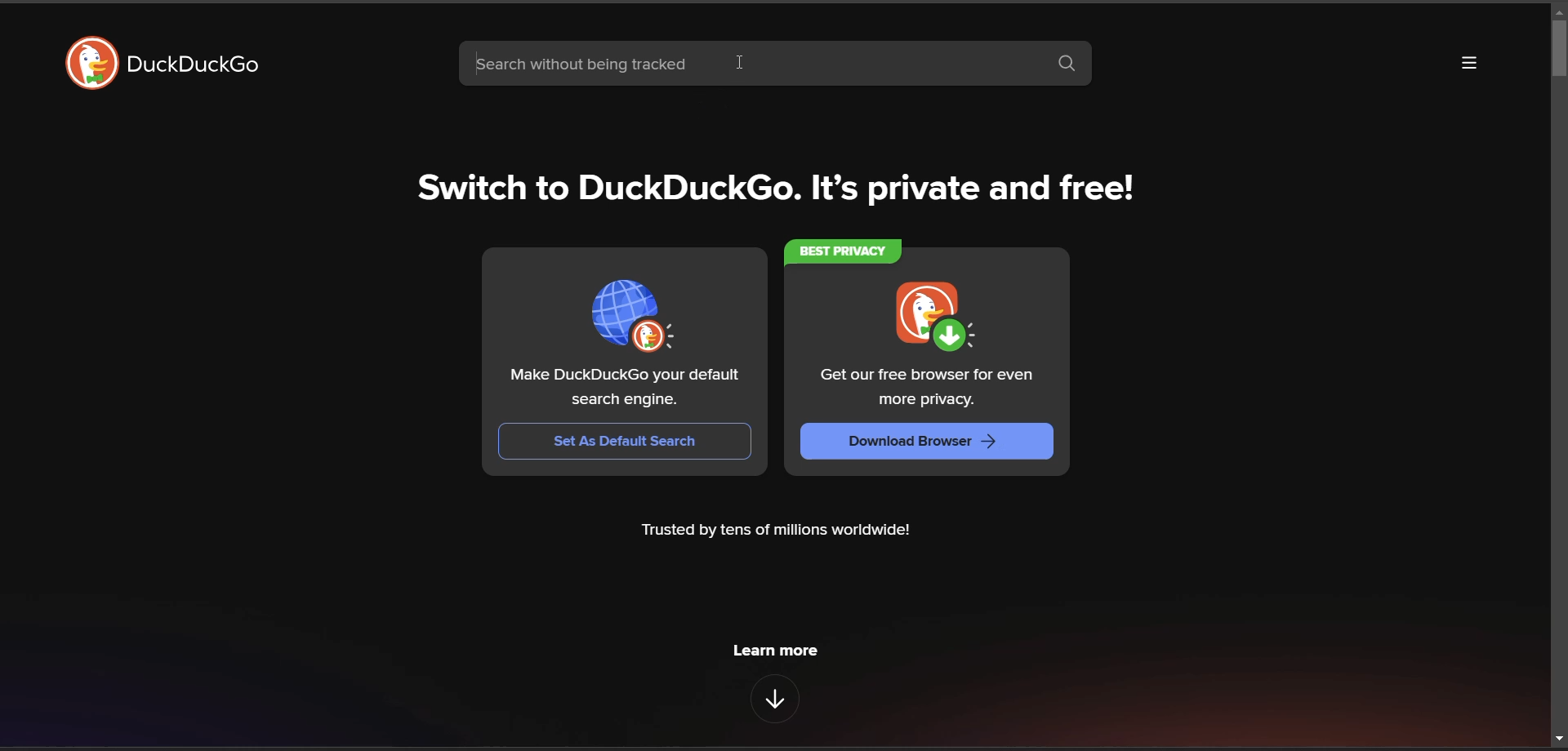 The image size is (1568, 751). I want to click on Set As Default Search, so click(625, 441).